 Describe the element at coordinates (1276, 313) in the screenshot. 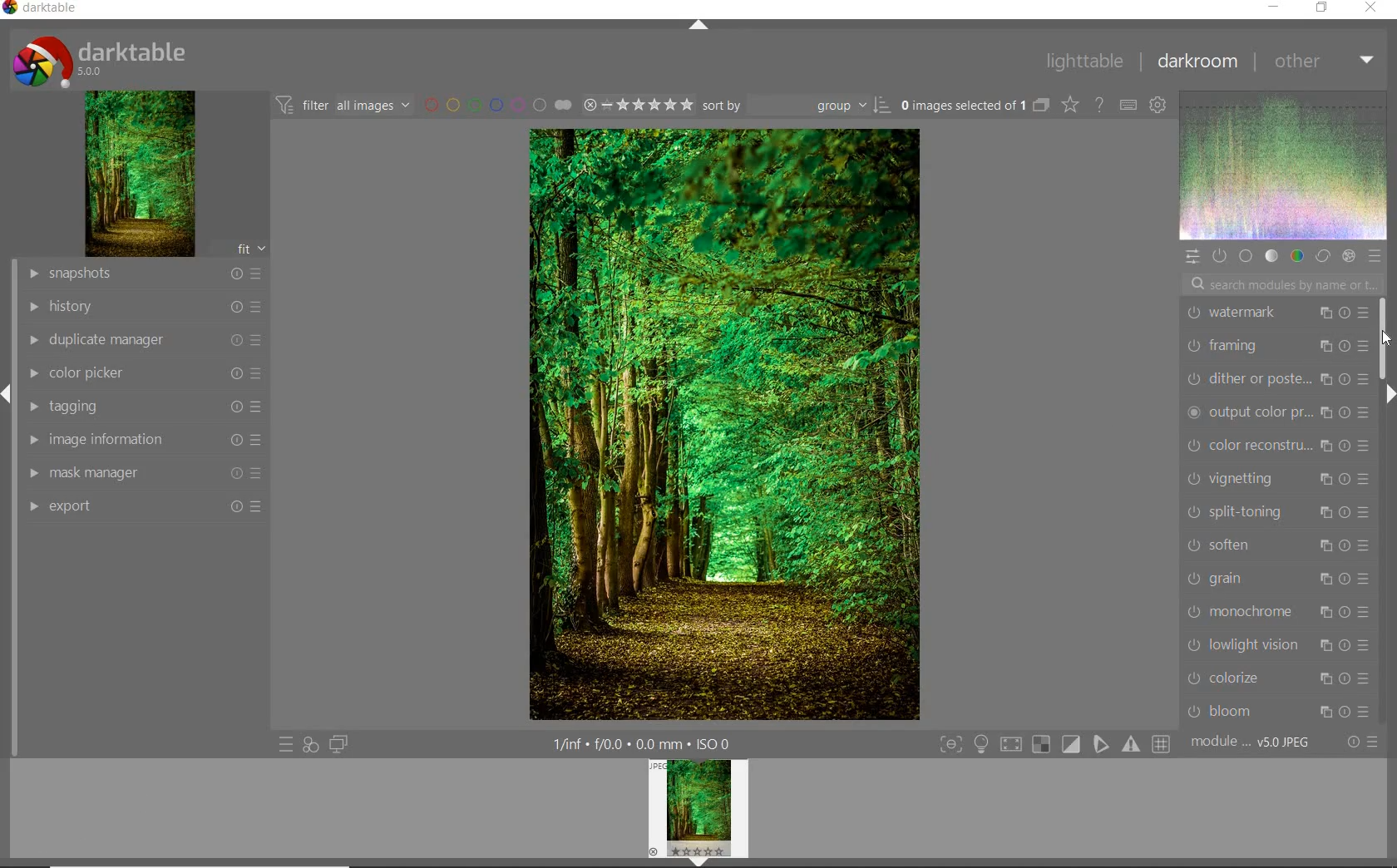

I see `WATERMARK` at that location.